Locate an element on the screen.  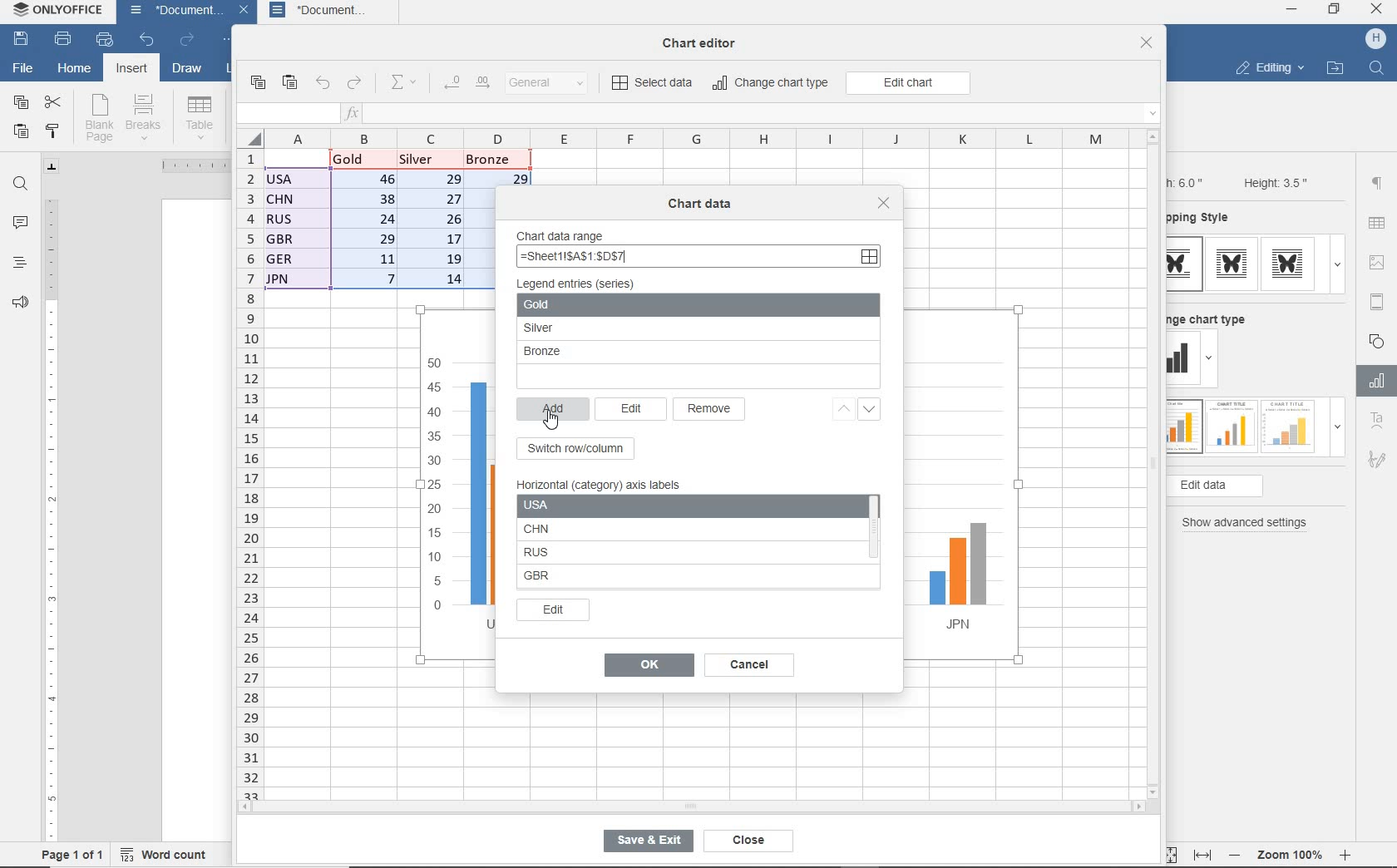
GBR is located at coordinates (680, 577).